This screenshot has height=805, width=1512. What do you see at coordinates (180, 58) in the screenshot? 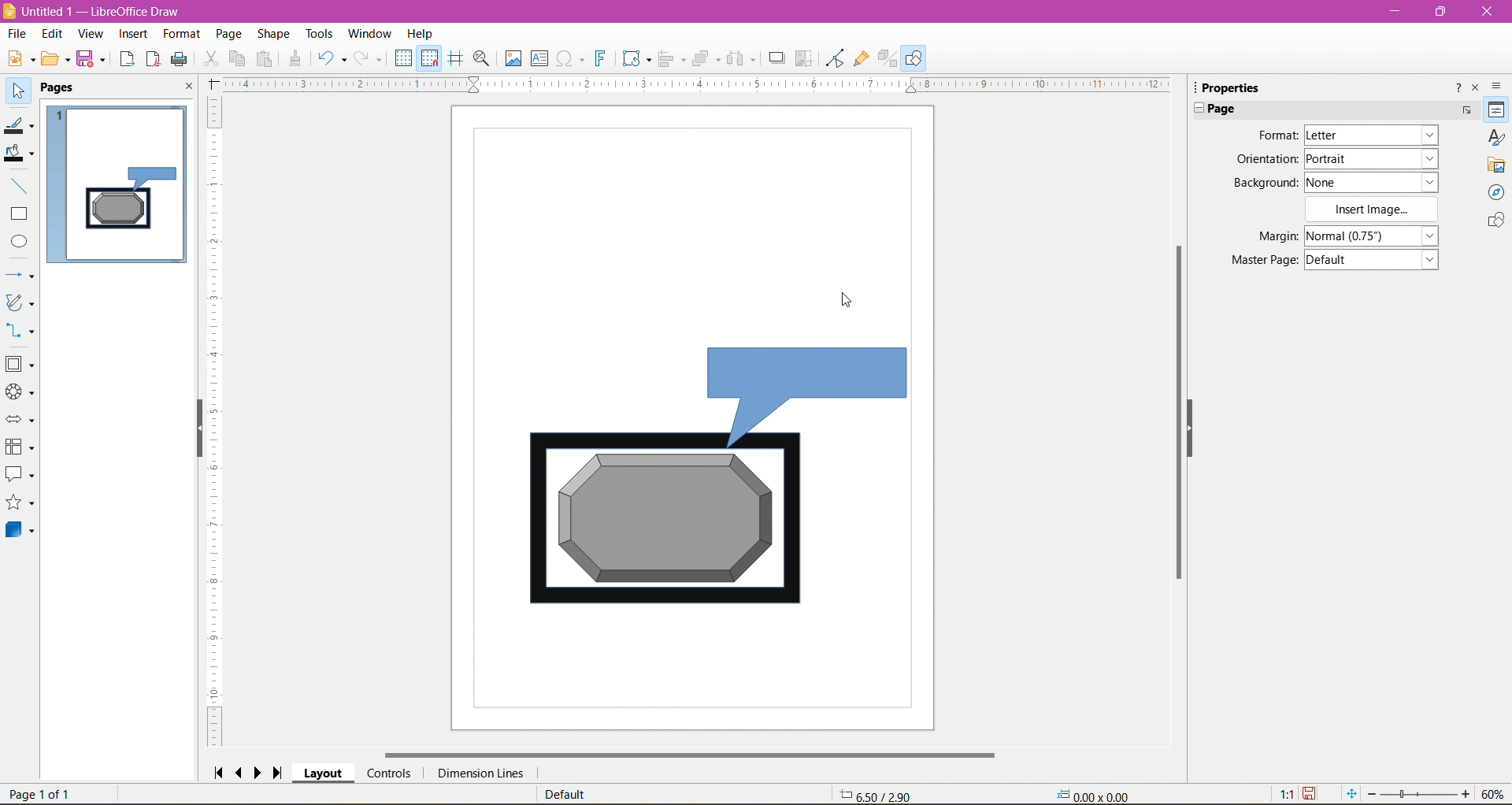
I see `Print` at bounding box center [180, 58].